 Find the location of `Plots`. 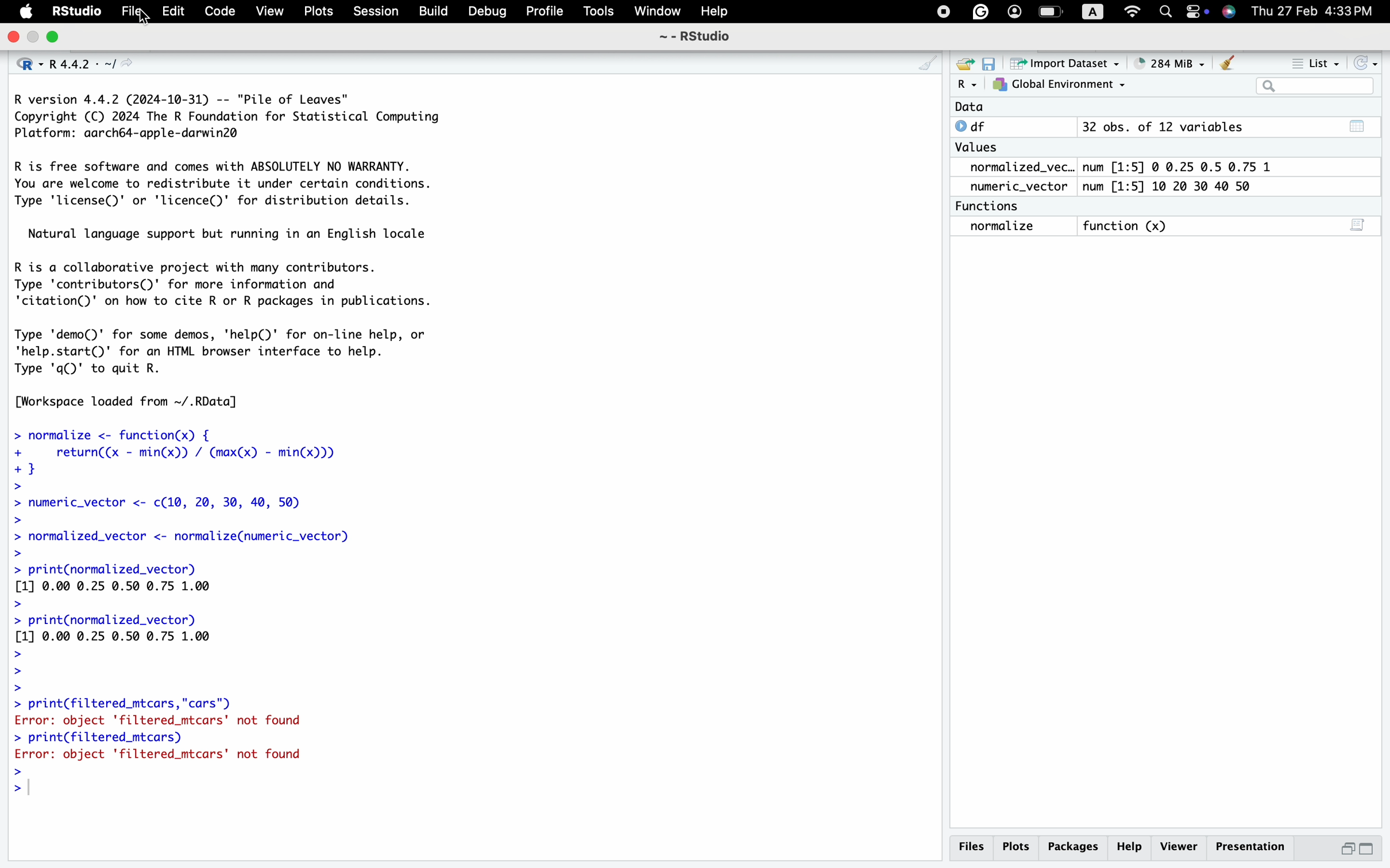

Plots is located at coordinates (1020, 846).